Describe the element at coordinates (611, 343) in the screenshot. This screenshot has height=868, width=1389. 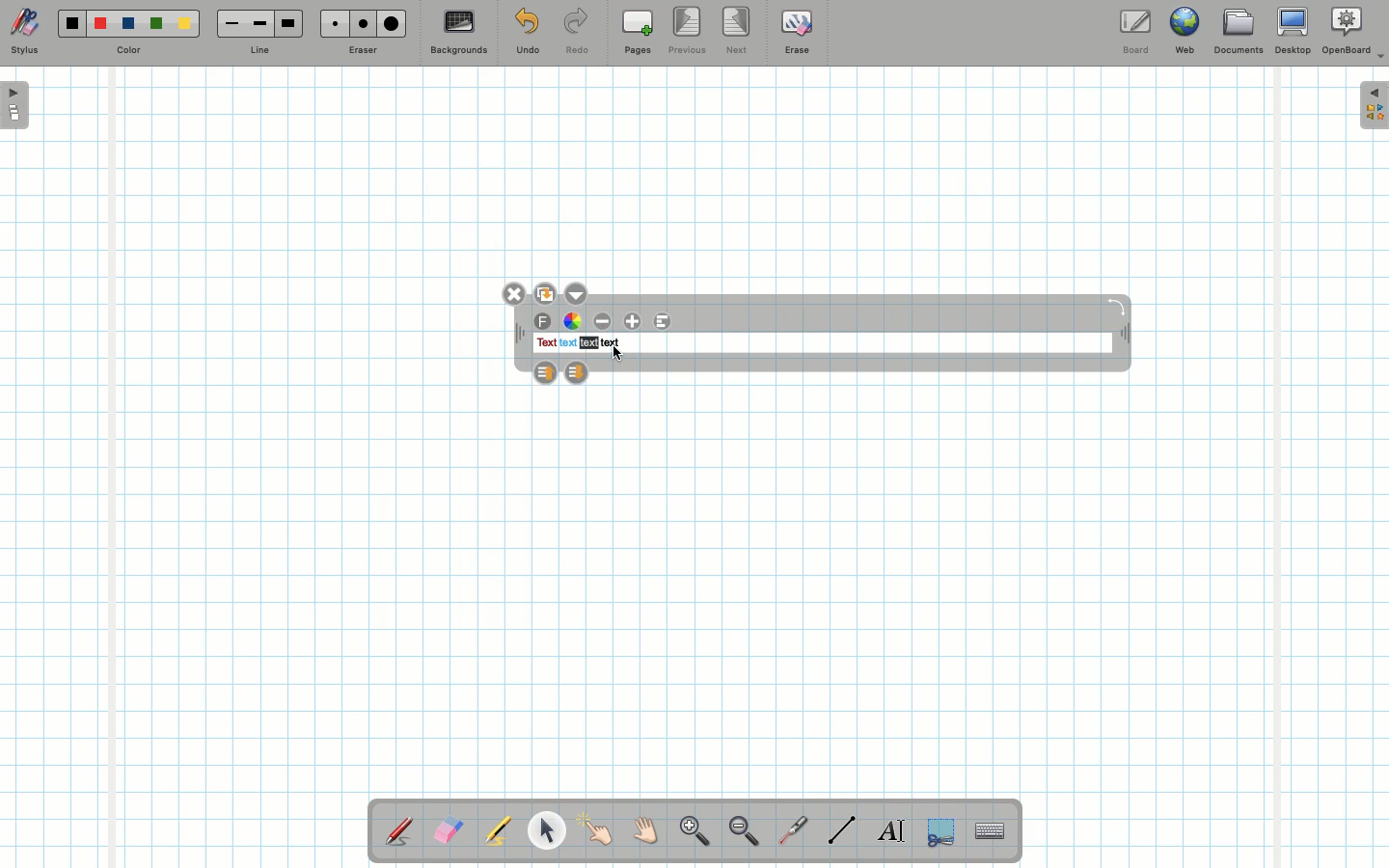
I see `text` at that location.